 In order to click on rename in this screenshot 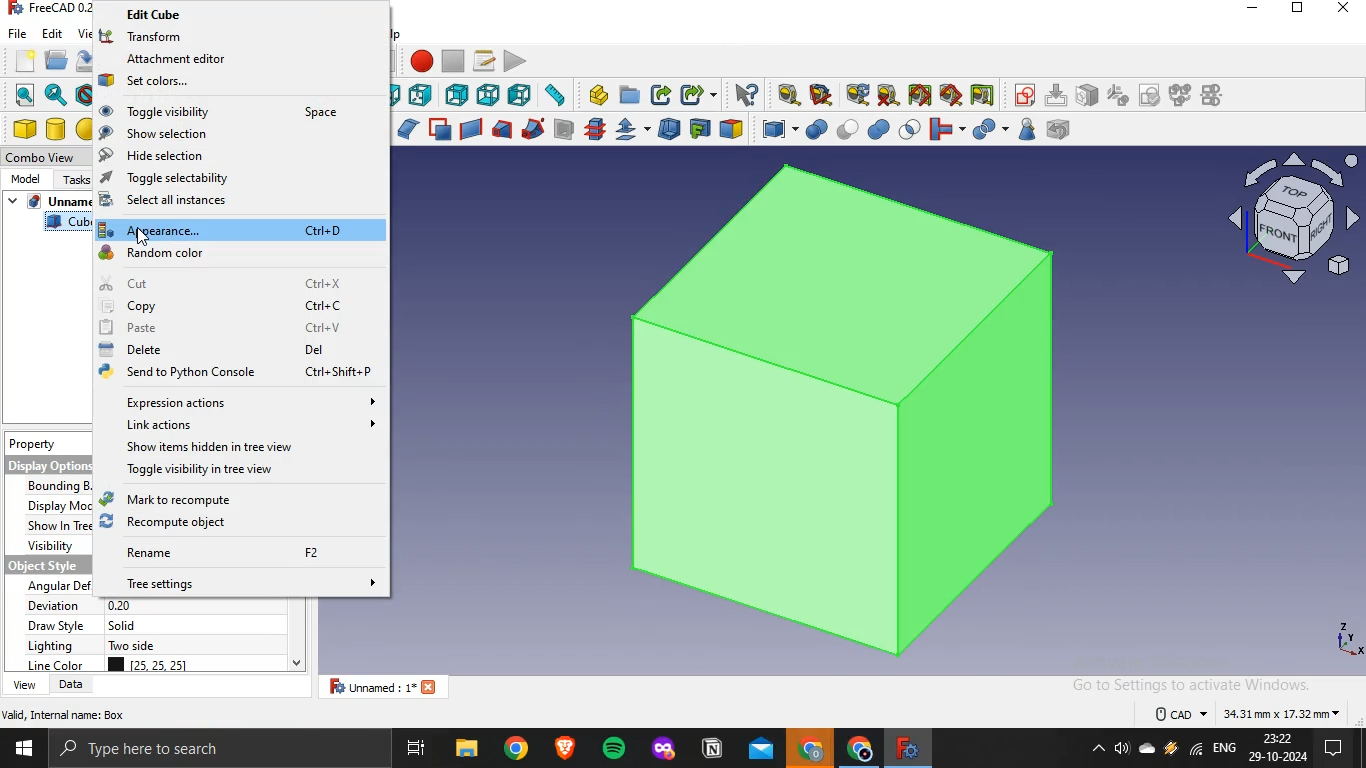, I will do `click(236, 552)`.